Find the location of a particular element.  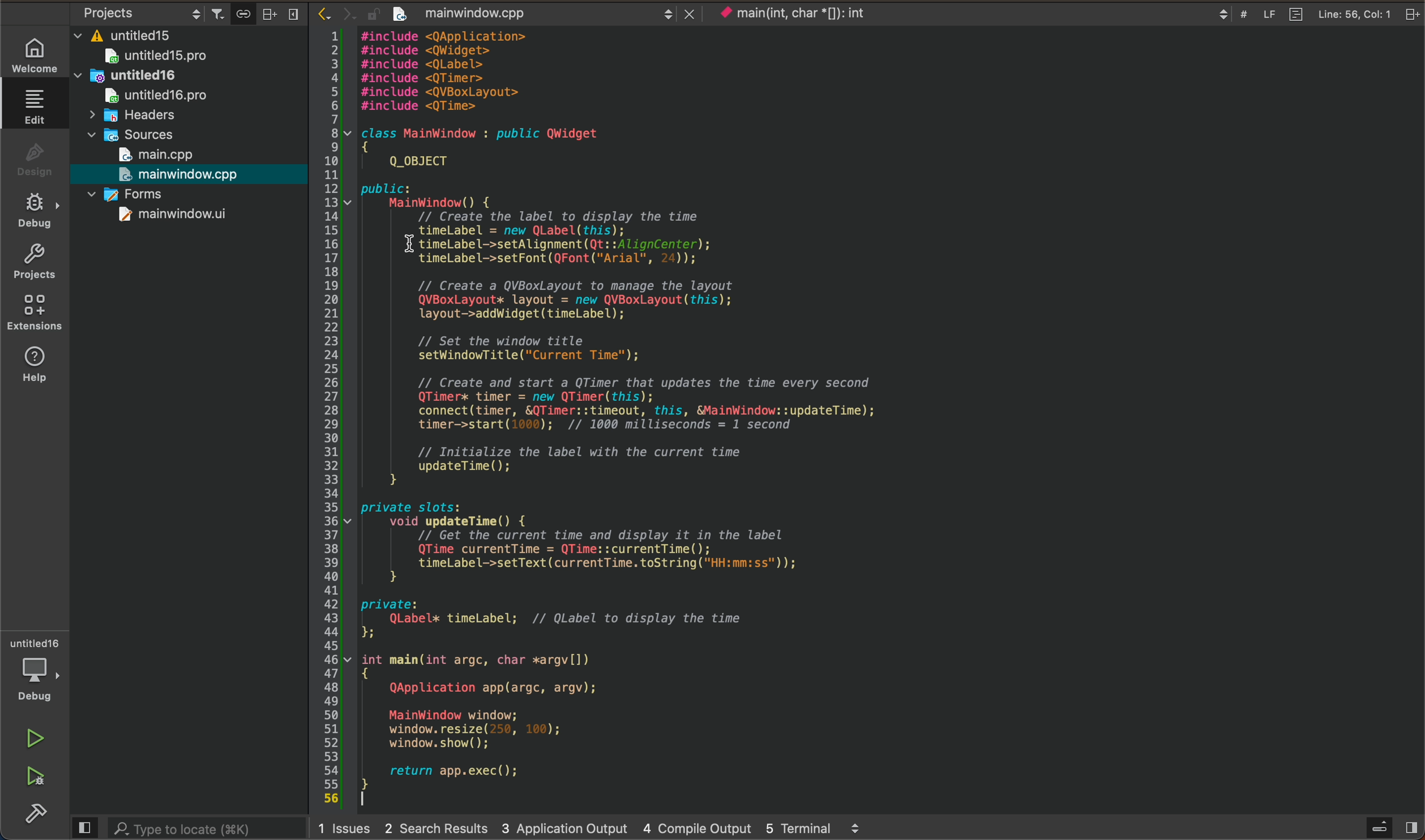

run and debug is located at coordinates (38, 779).